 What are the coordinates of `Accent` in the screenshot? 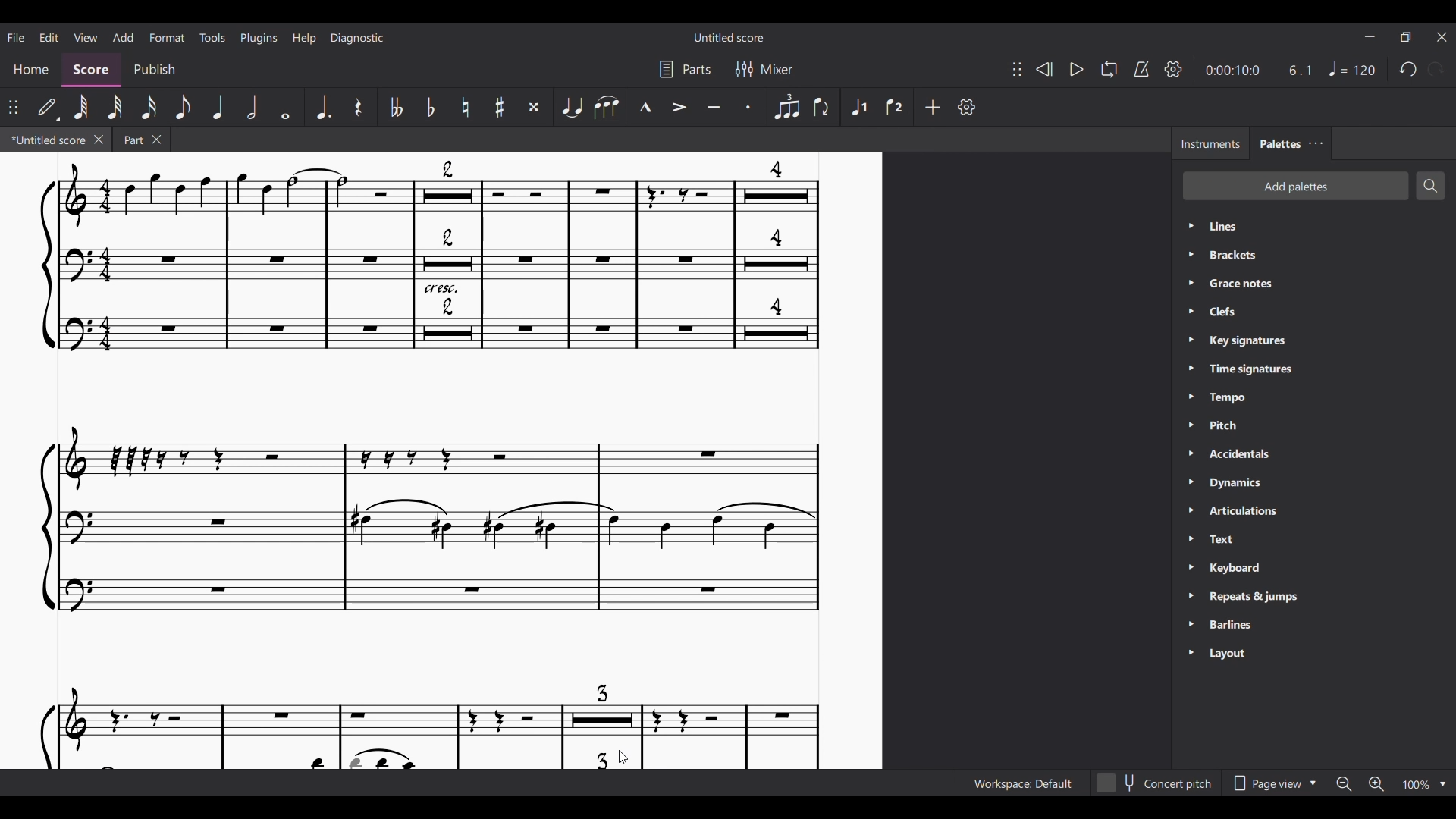 It's located at (679, 108).